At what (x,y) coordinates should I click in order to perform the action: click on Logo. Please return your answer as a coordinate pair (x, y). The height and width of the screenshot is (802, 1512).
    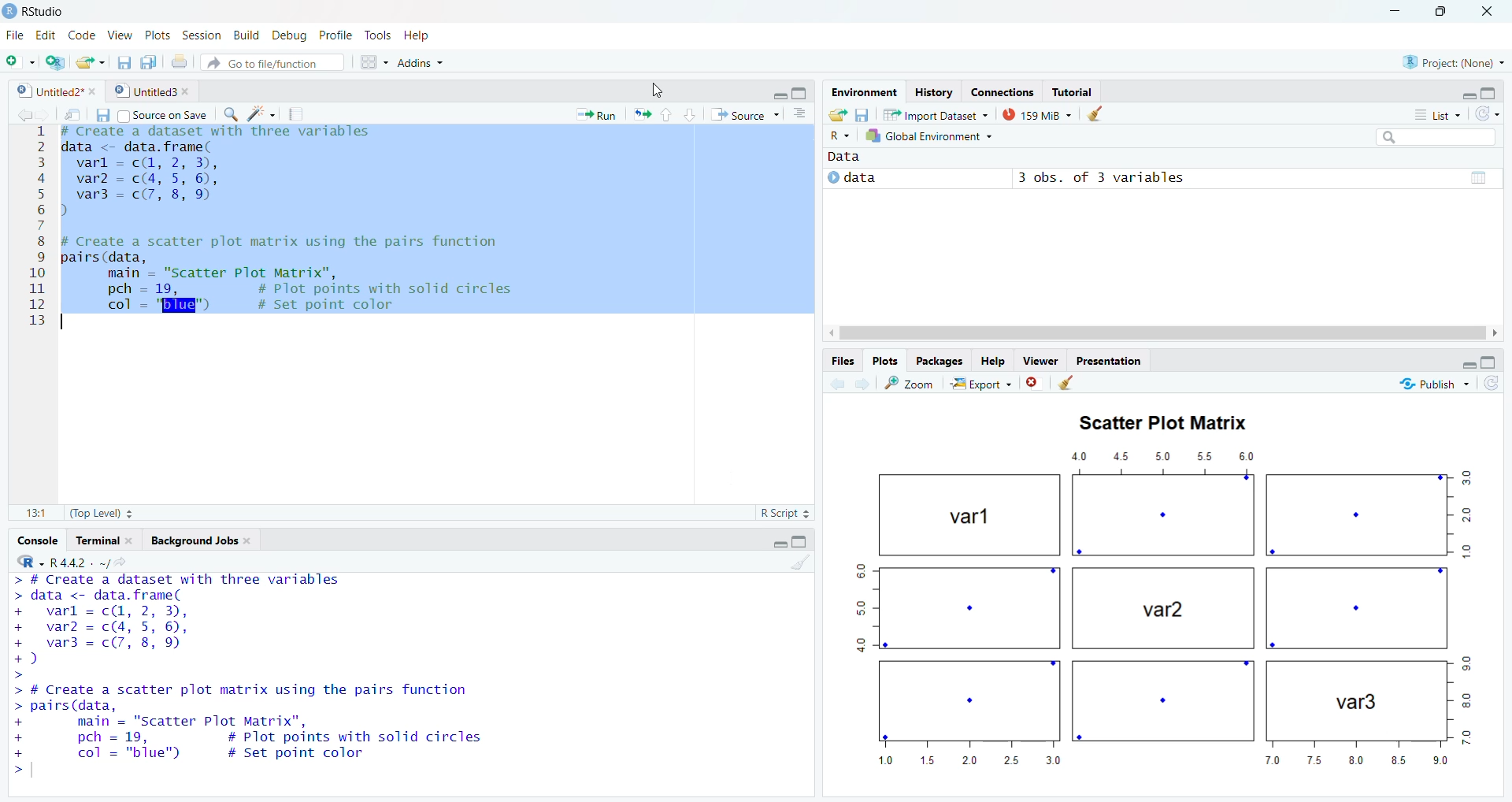
    Looking at the image, I should click on (9, 9).